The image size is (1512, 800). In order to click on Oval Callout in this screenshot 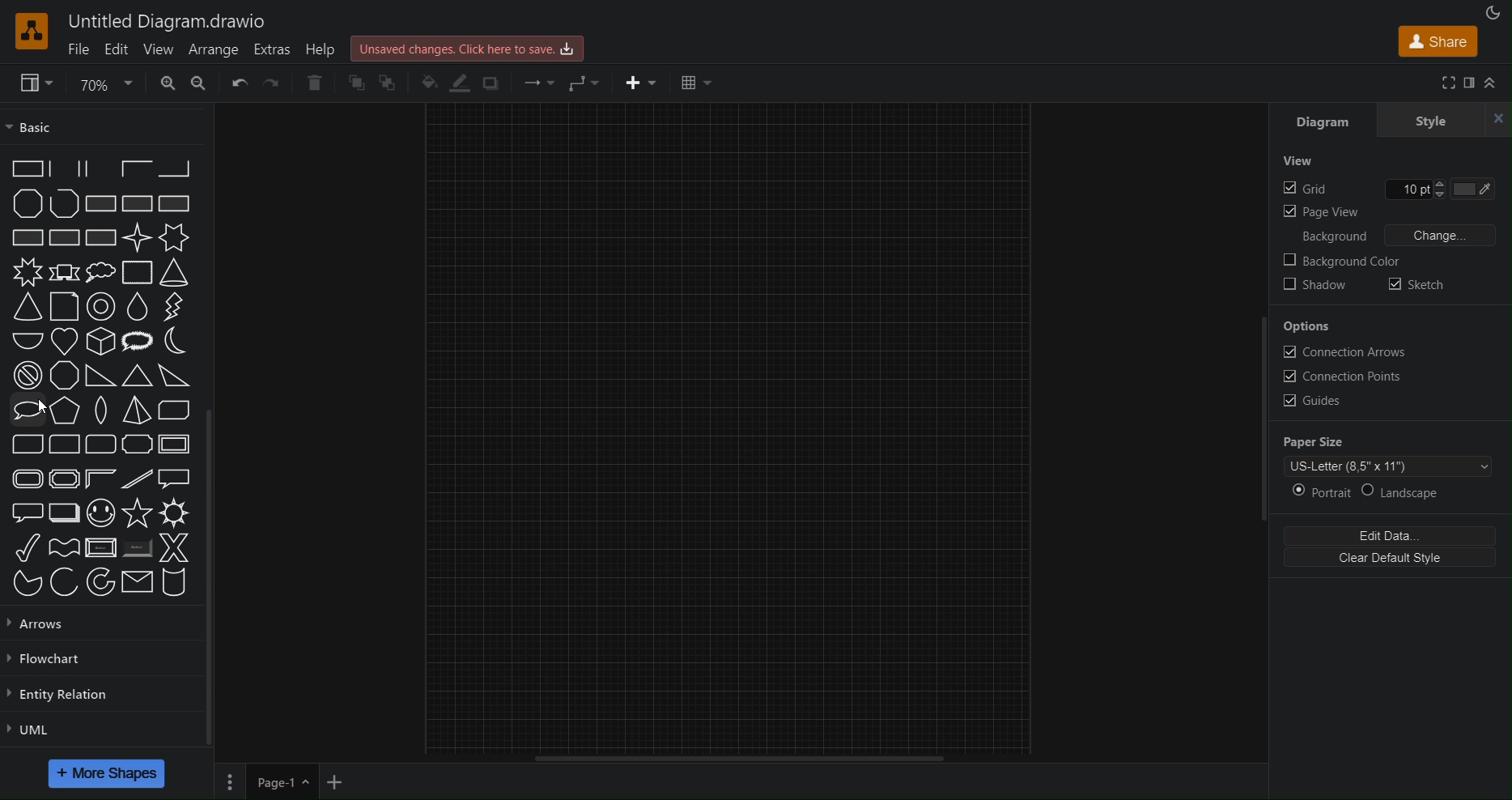, I will do `click(27, 410)`.